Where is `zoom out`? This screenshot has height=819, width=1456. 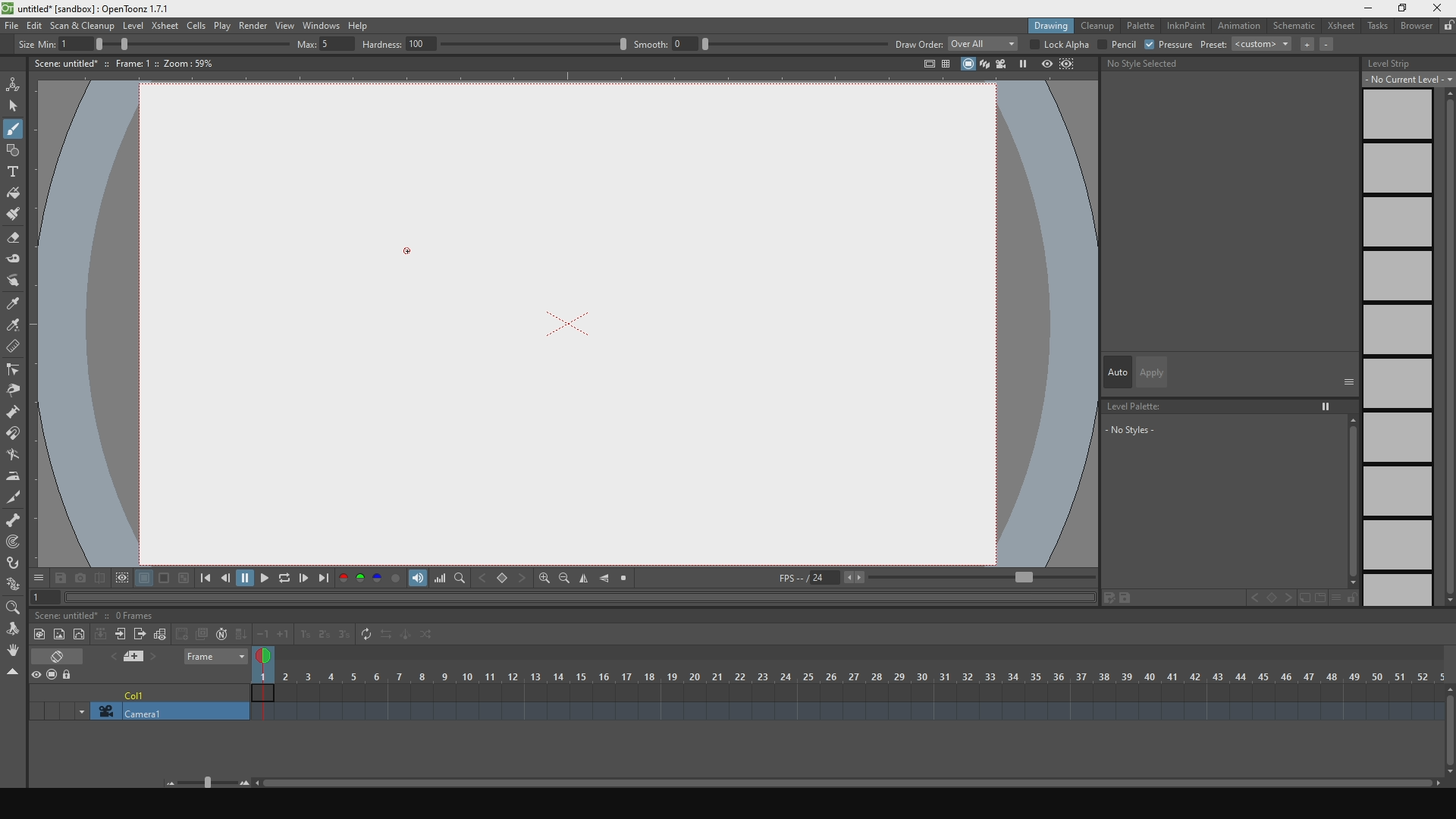
zoom out is located at coordinates (565, 579).